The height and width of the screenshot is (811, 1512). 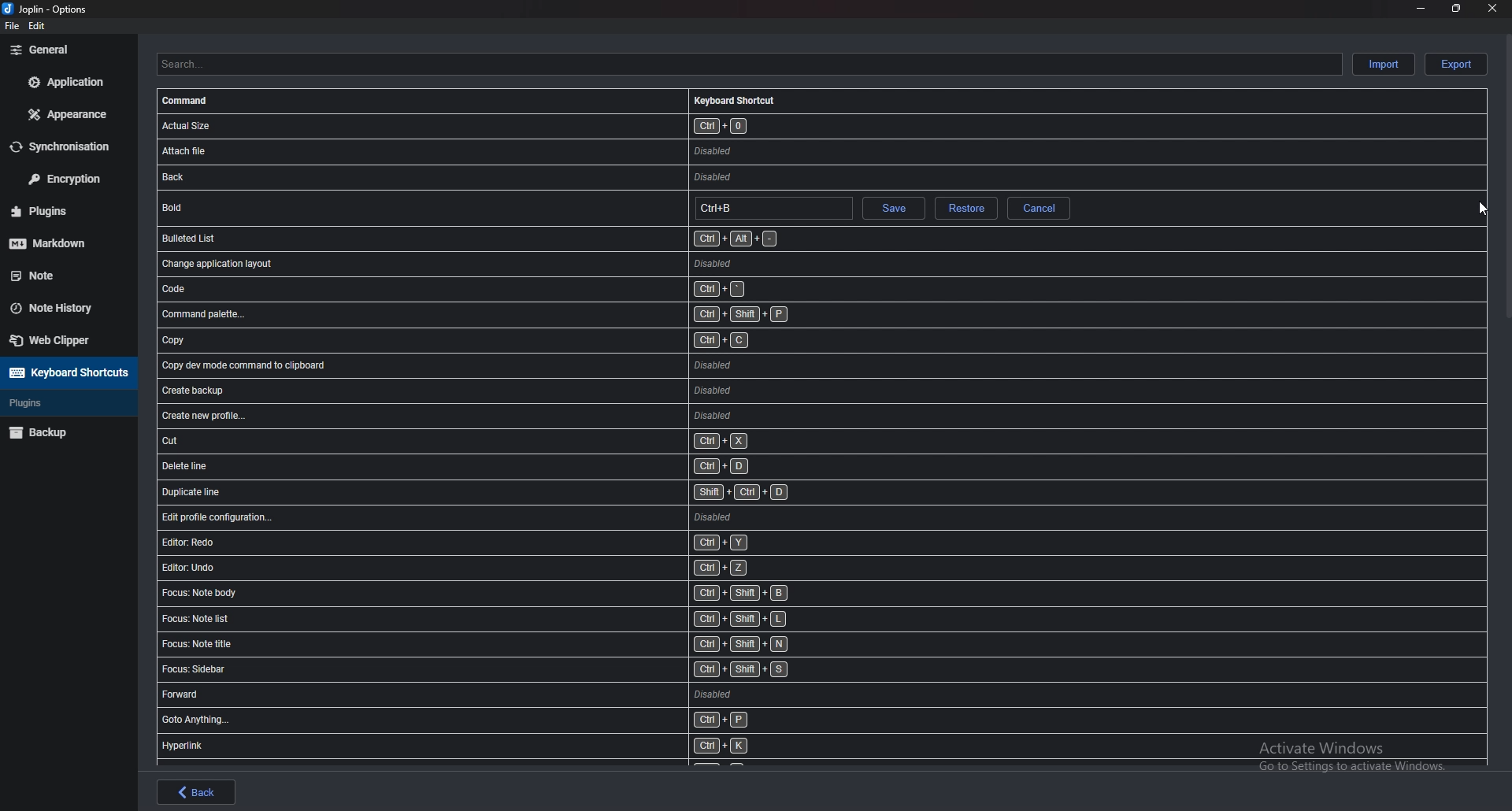 What do you see at coordinates (495, 313) in the screenshot?
I see `shortcut` at bounding box center [495, 313].